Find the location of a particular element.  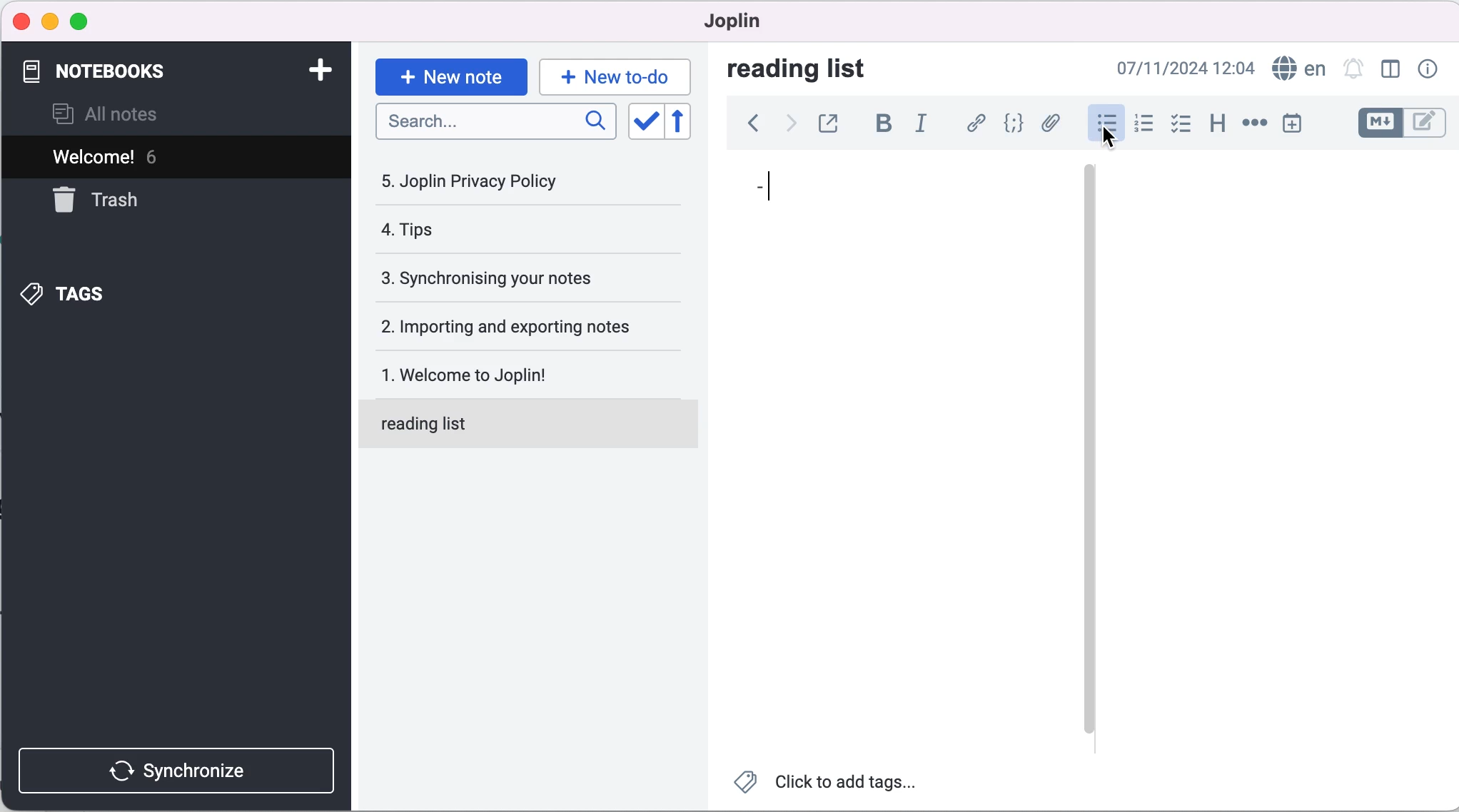

bold is located at coordinates (884, 123).